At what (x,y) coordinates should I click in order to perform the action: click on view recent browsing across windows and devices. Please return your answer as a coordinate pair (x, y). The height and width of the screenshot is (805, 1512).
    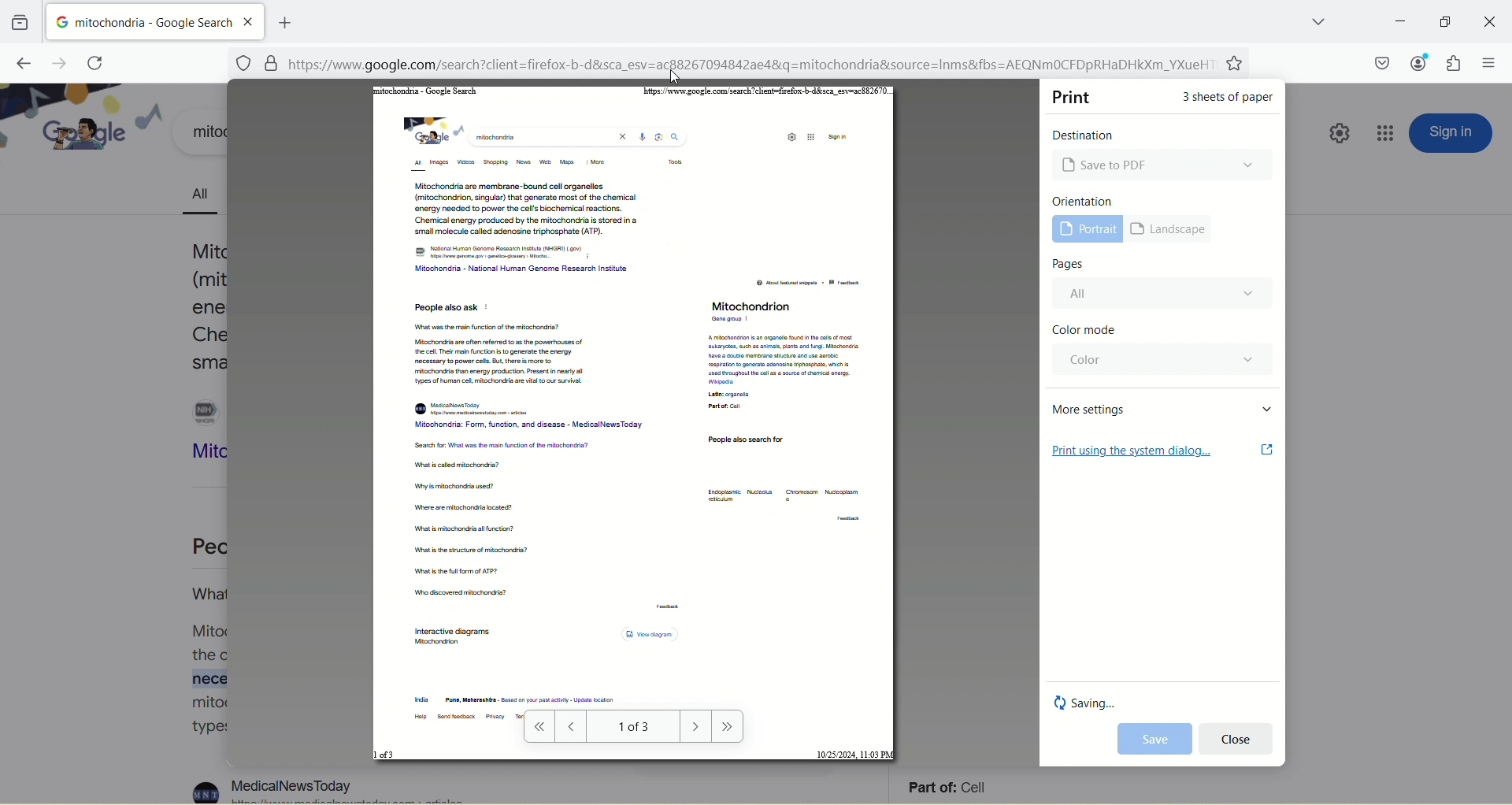
    Looking at the image, I should click on (20, 22).